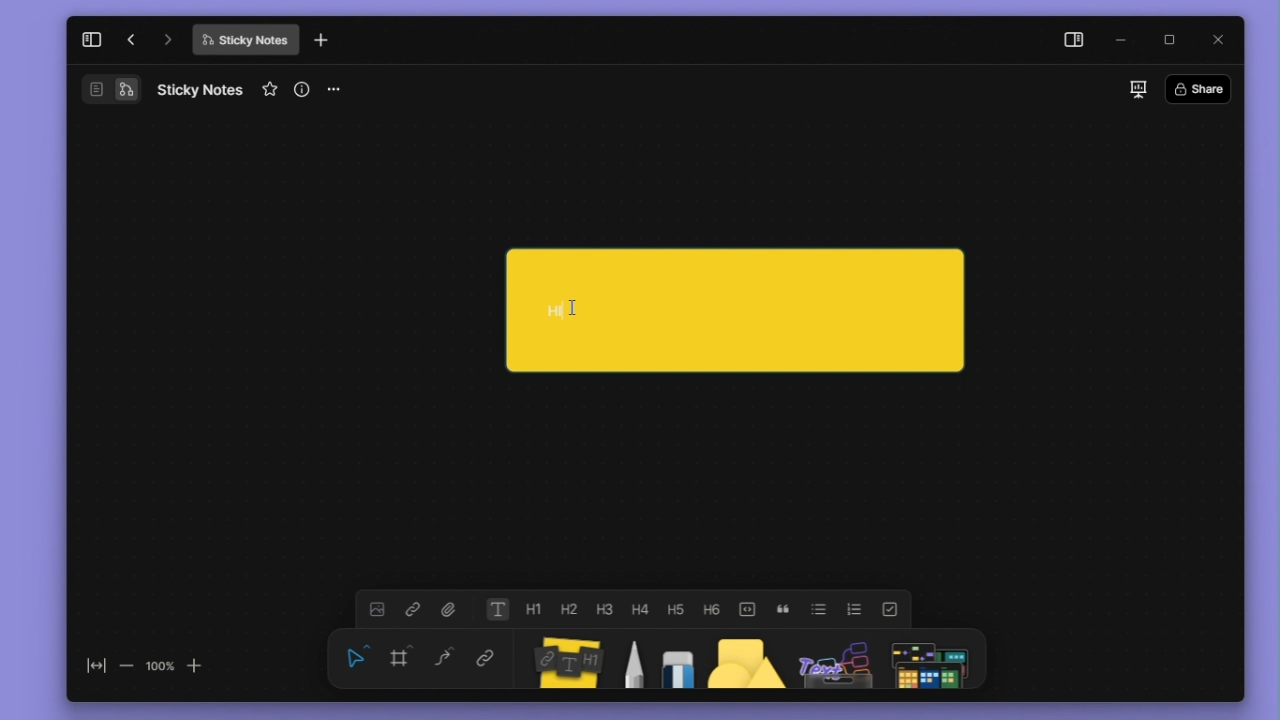  What do you see at coordinates (739, 313) in the screenshot?
I see `HI` at bounding box center [739, 313].